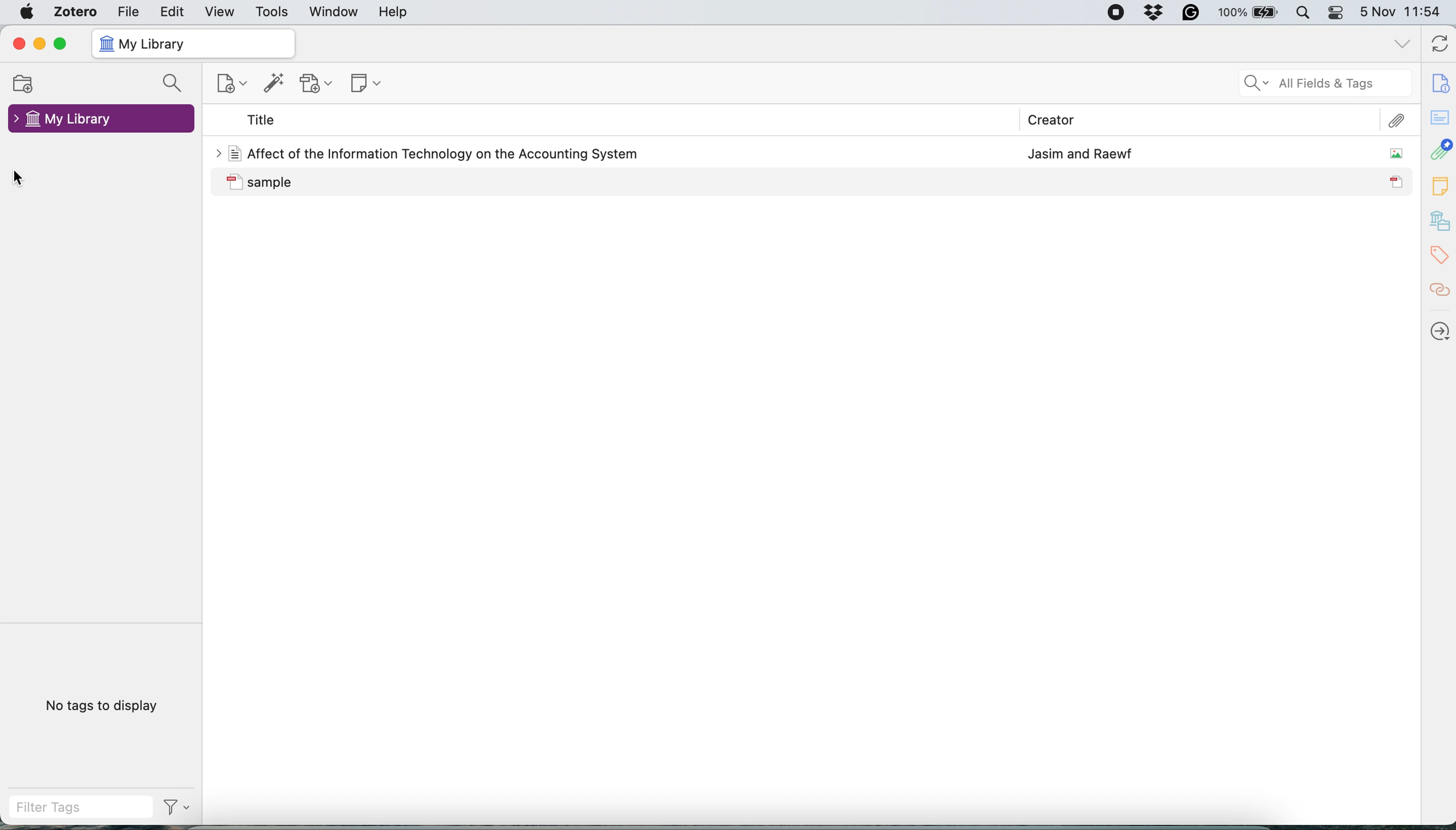 This screenshot has width=1456, height=830. I want to click on abstract, so click(1438, 117).